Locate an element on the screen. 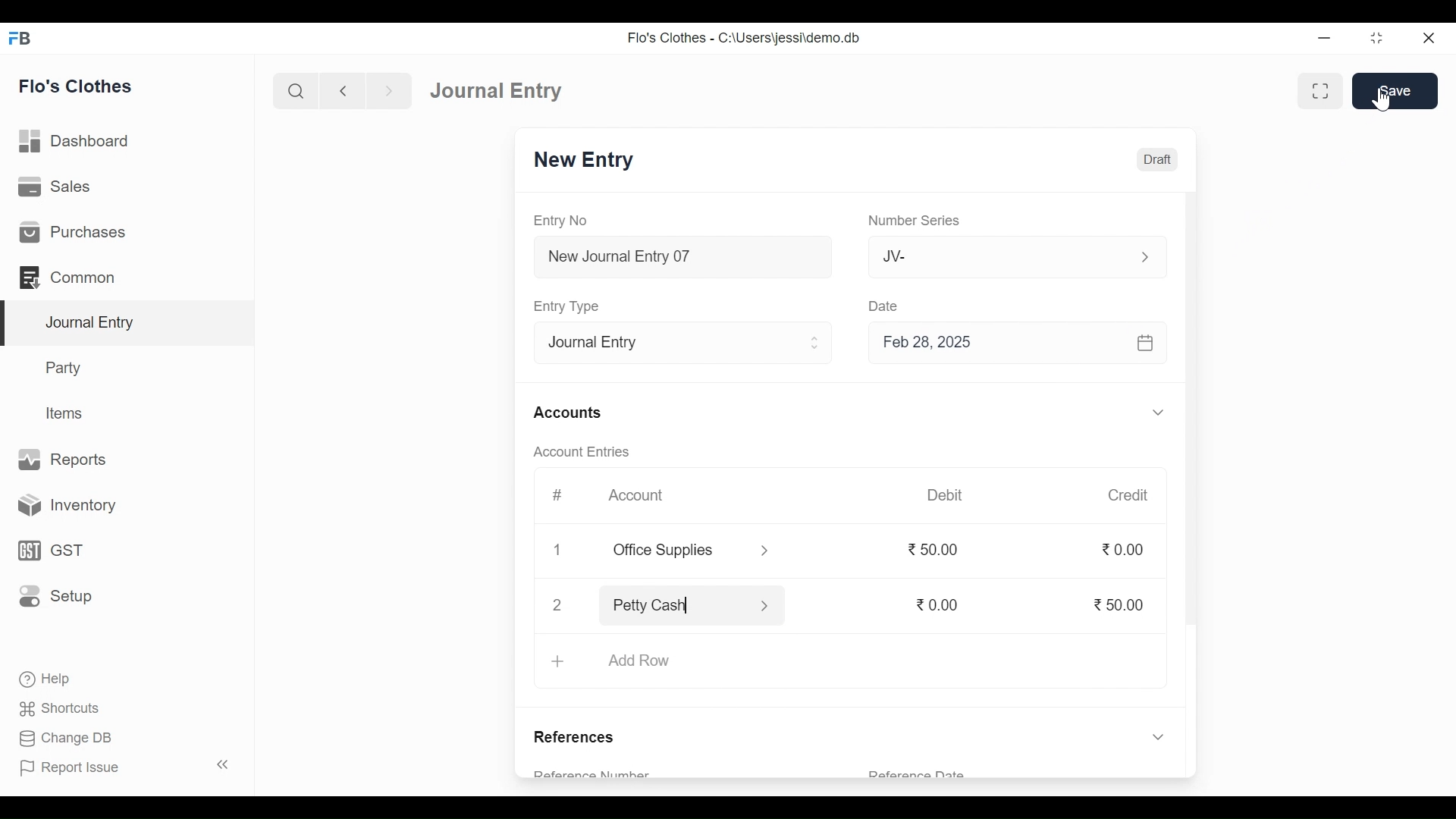 Image resolution: width=1456 pixels, height=819 pixels. 50.00 is located at coordinates (939, 549).